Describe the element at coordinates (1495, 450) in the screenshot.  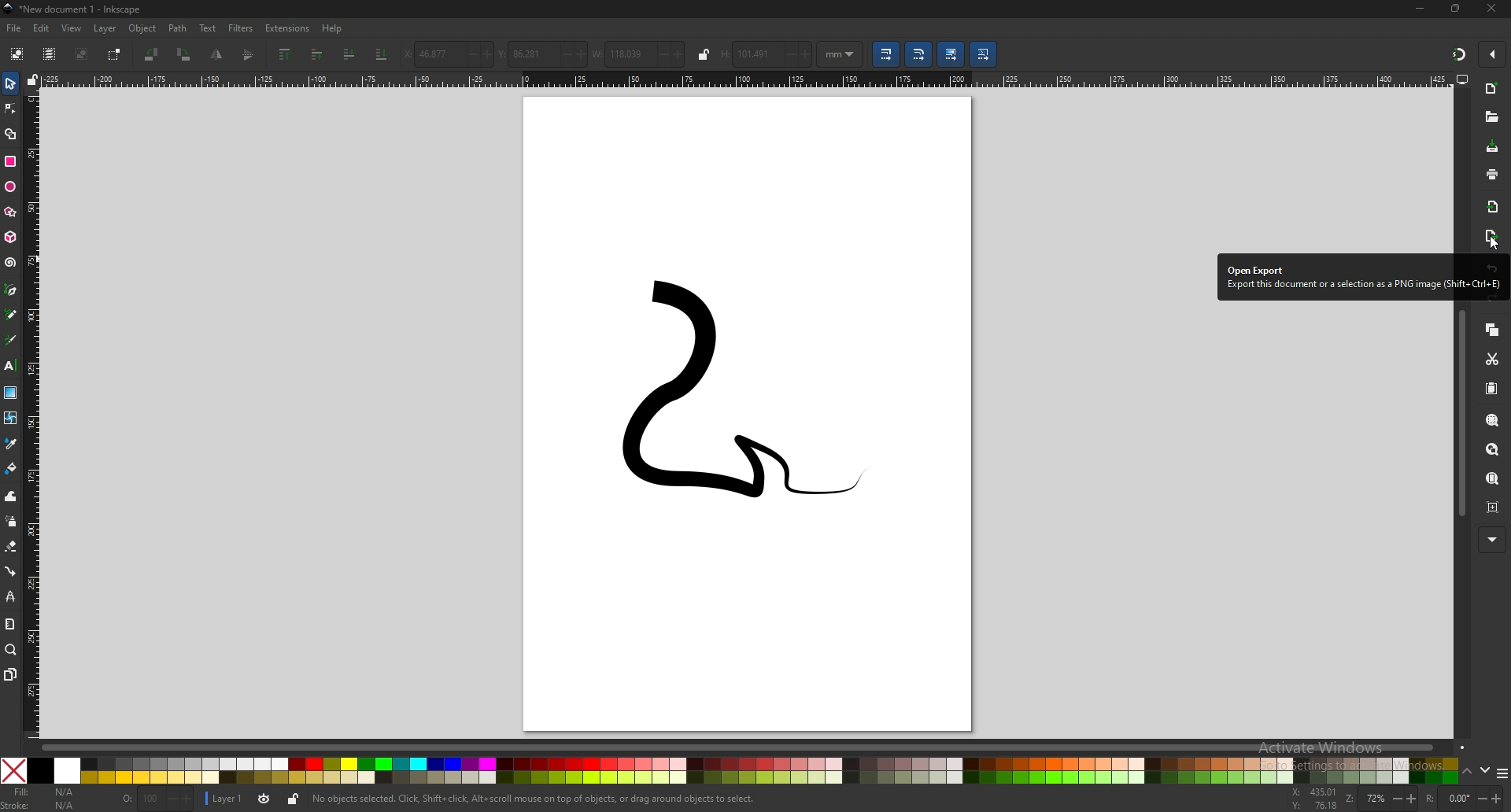
I see `zoom drawing` at that location.